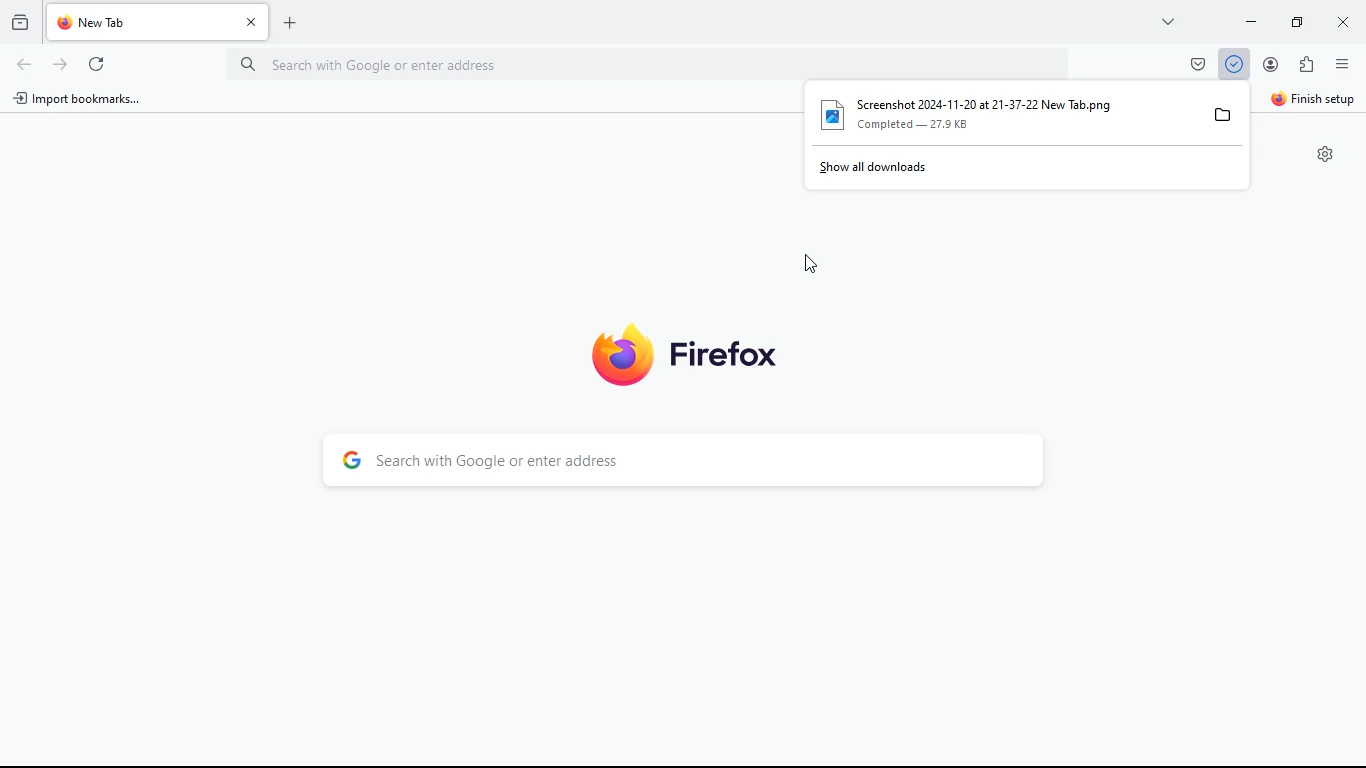 The width and height of the screenshot is (1366, 768). I want to click on Firefox, so click(685, 356).